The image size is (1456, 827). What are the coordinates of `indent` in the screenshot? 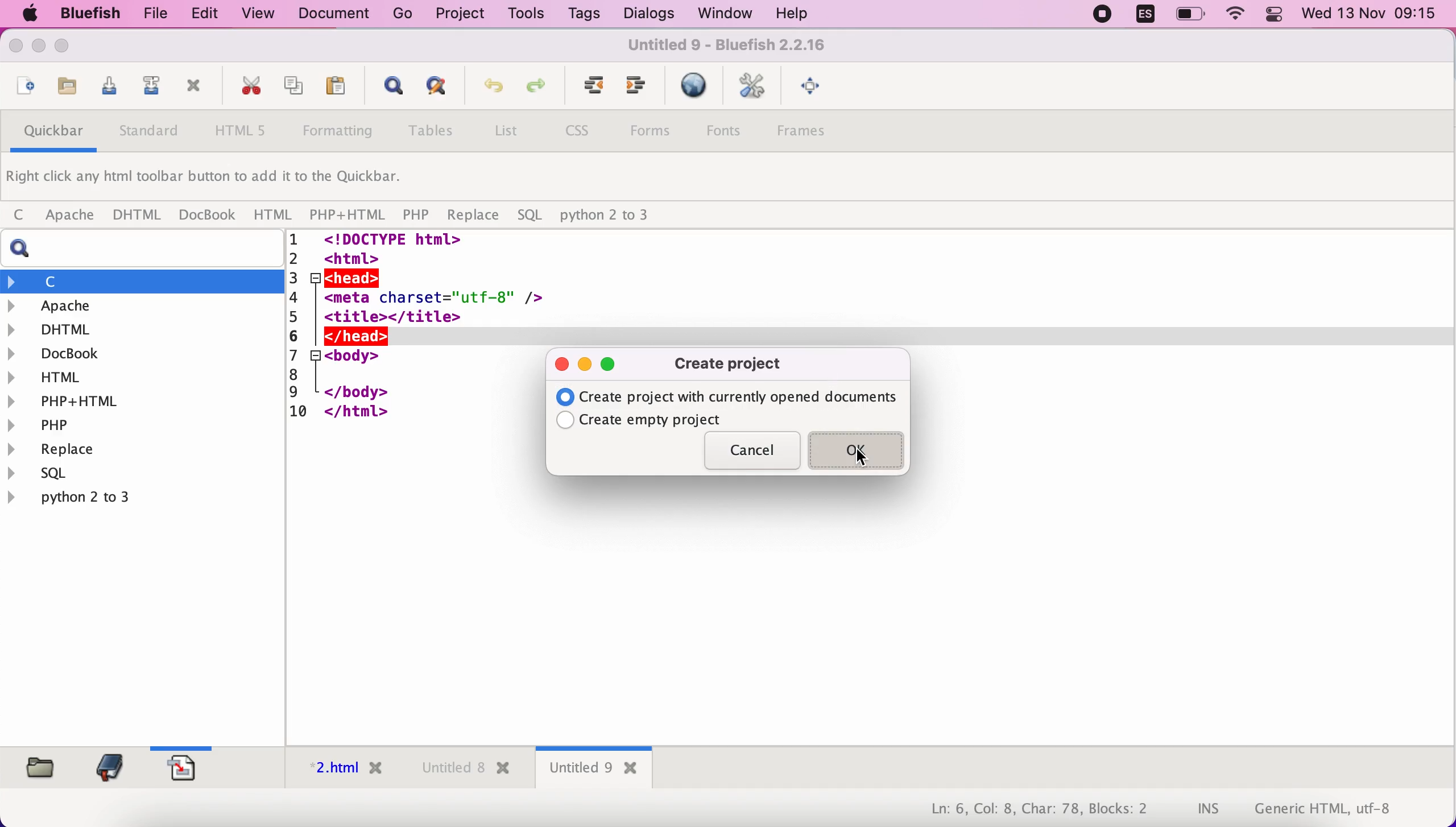 It's located at (636, 89).